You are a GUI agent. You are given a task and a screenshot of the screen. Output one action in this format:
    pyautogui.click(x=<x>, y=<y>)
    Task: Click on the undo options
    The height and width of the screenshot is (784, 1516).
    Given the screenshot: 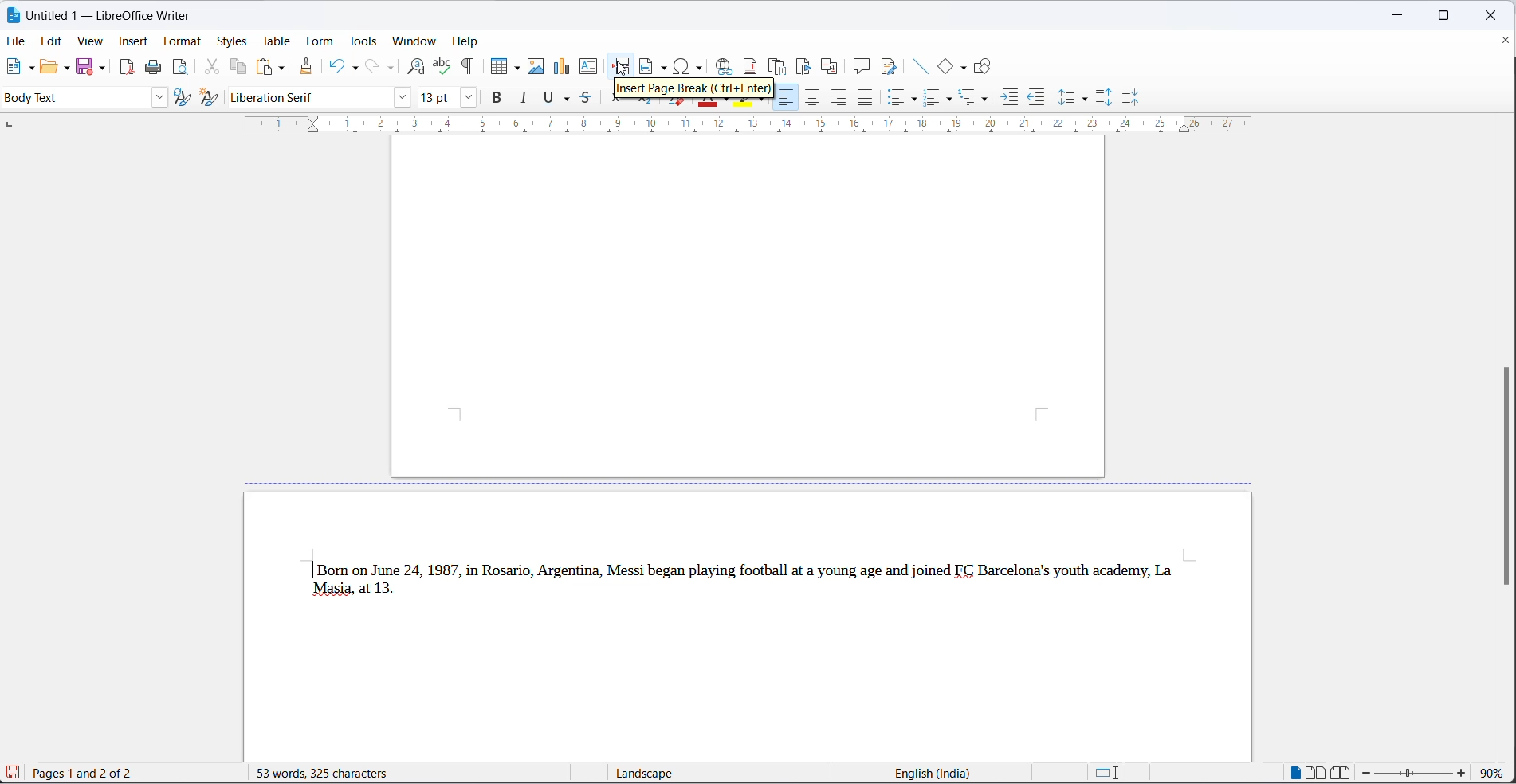 What is the action you would take?
    pyautogui.click(x=353, y=69)
    